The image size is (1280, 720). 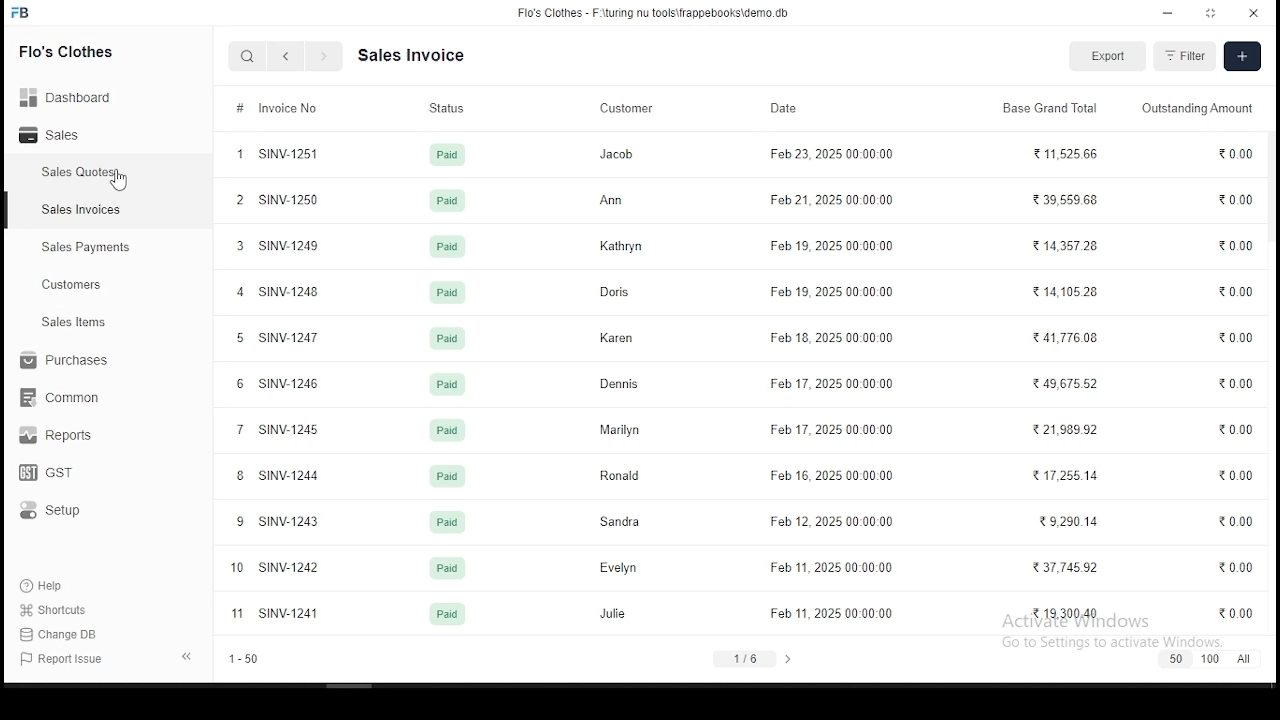 I want to click on 0.00, so click(x=1233, y=569).